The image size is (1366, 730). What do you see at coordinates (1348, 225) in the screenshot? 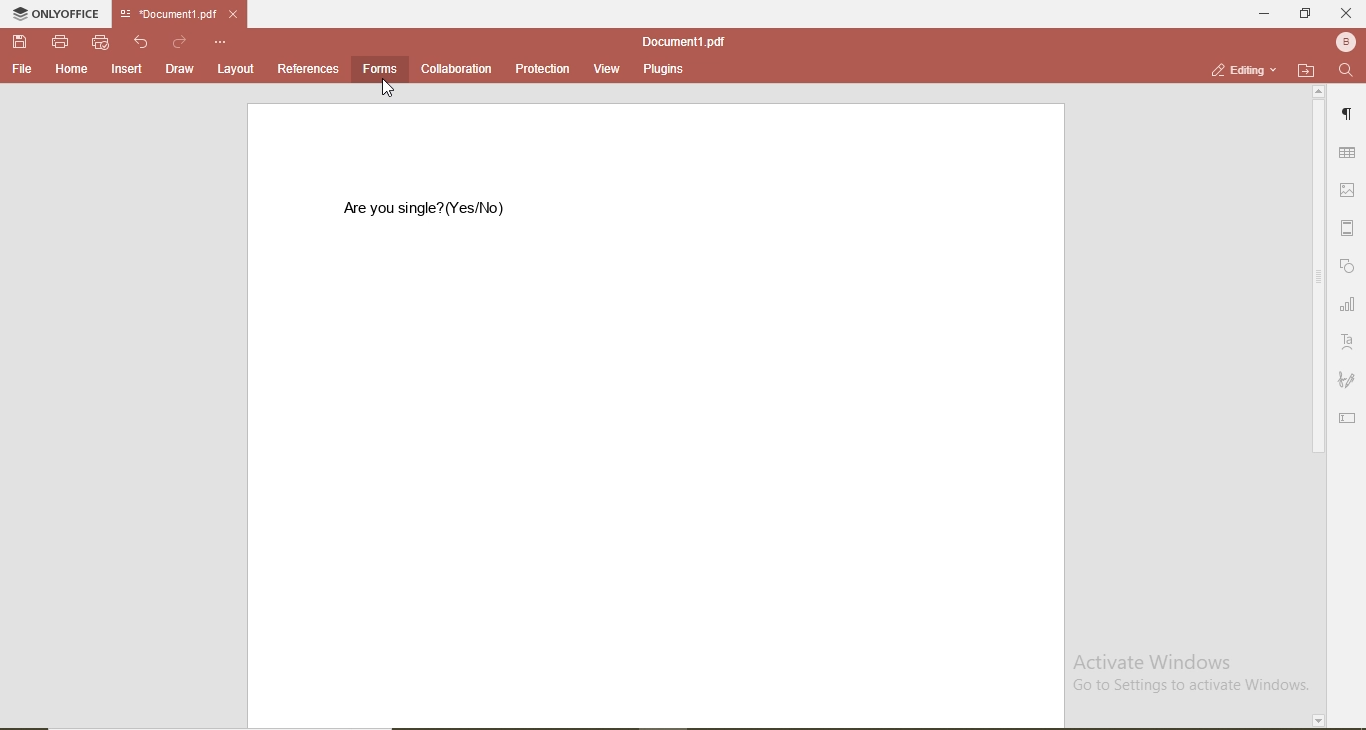
I see `margin` at bounding box center [1348, 225].